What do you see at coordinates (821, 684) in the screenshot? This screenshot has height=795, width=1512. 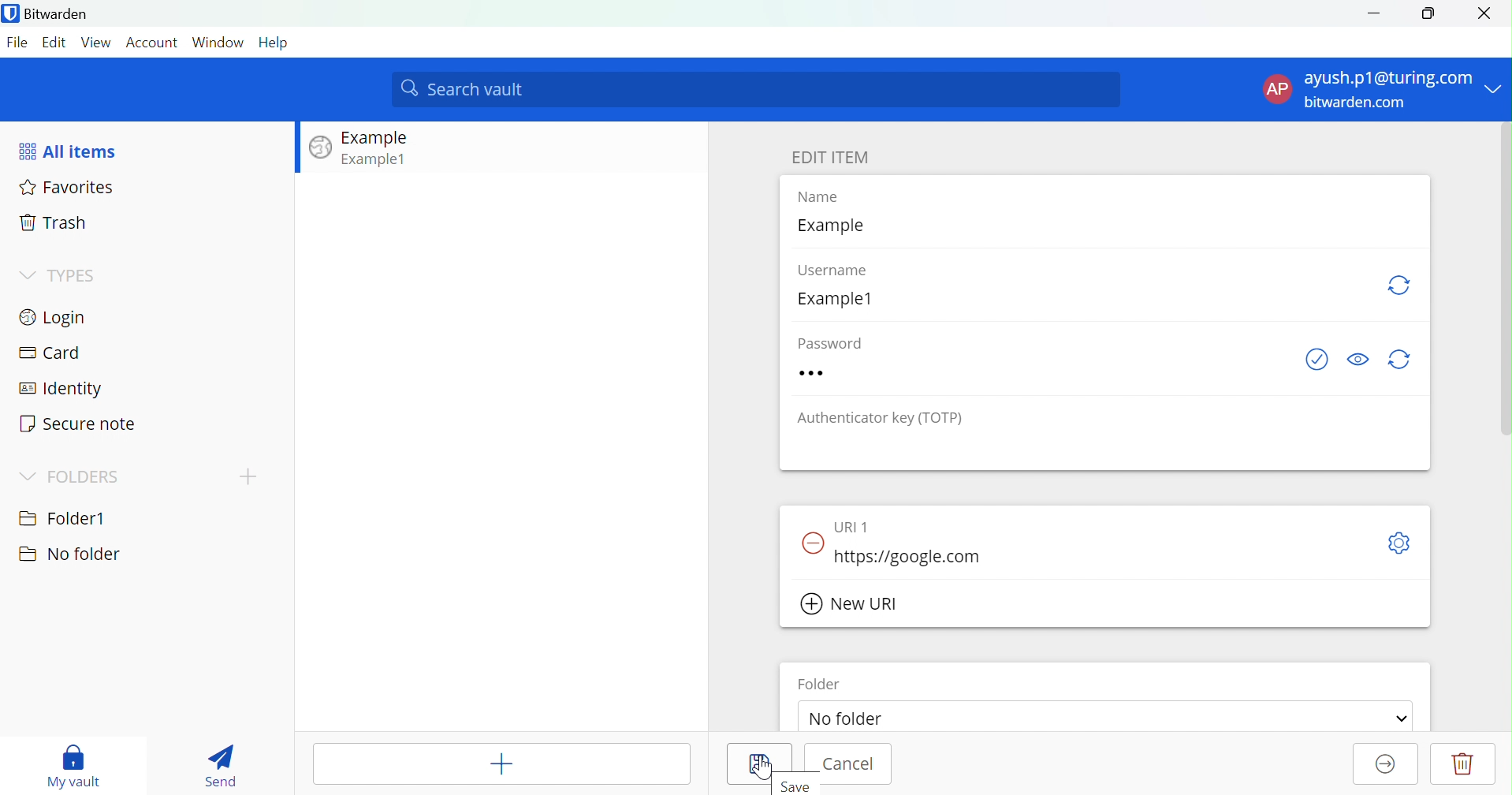 I see `Folder` at bounding box center [821, 684].